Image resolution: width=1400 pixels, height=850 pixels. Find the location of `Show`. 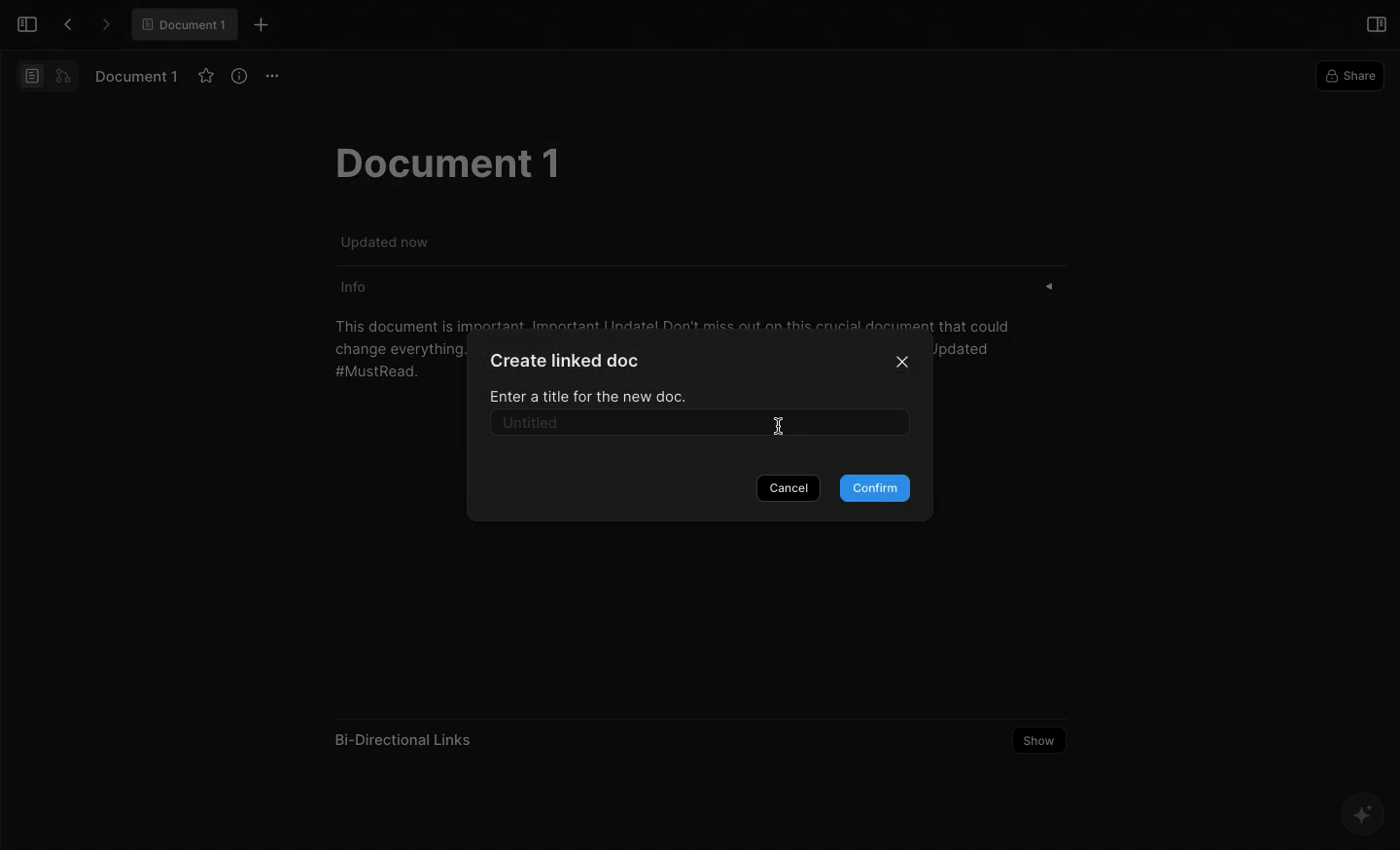

Show is located at coordinates (1041, 740).